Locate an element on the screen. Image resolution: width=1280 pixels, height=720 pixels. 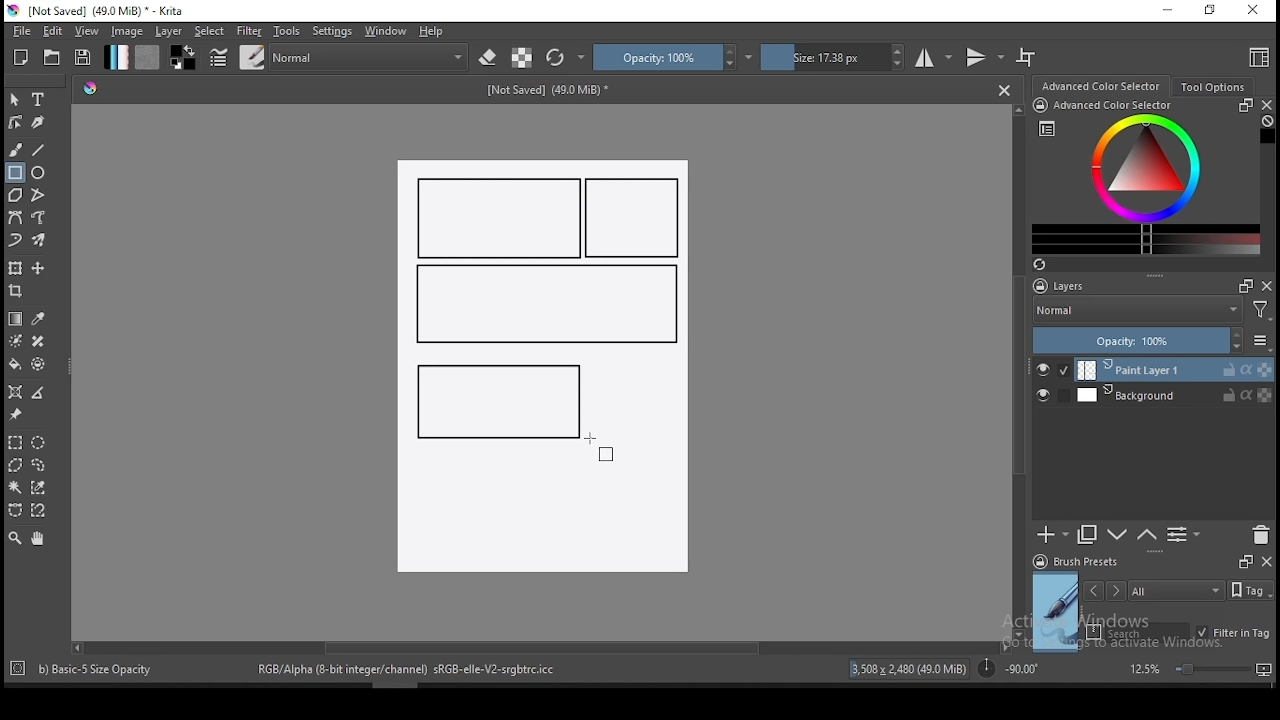
measure distance between two points is located at coordinates (39, 394).